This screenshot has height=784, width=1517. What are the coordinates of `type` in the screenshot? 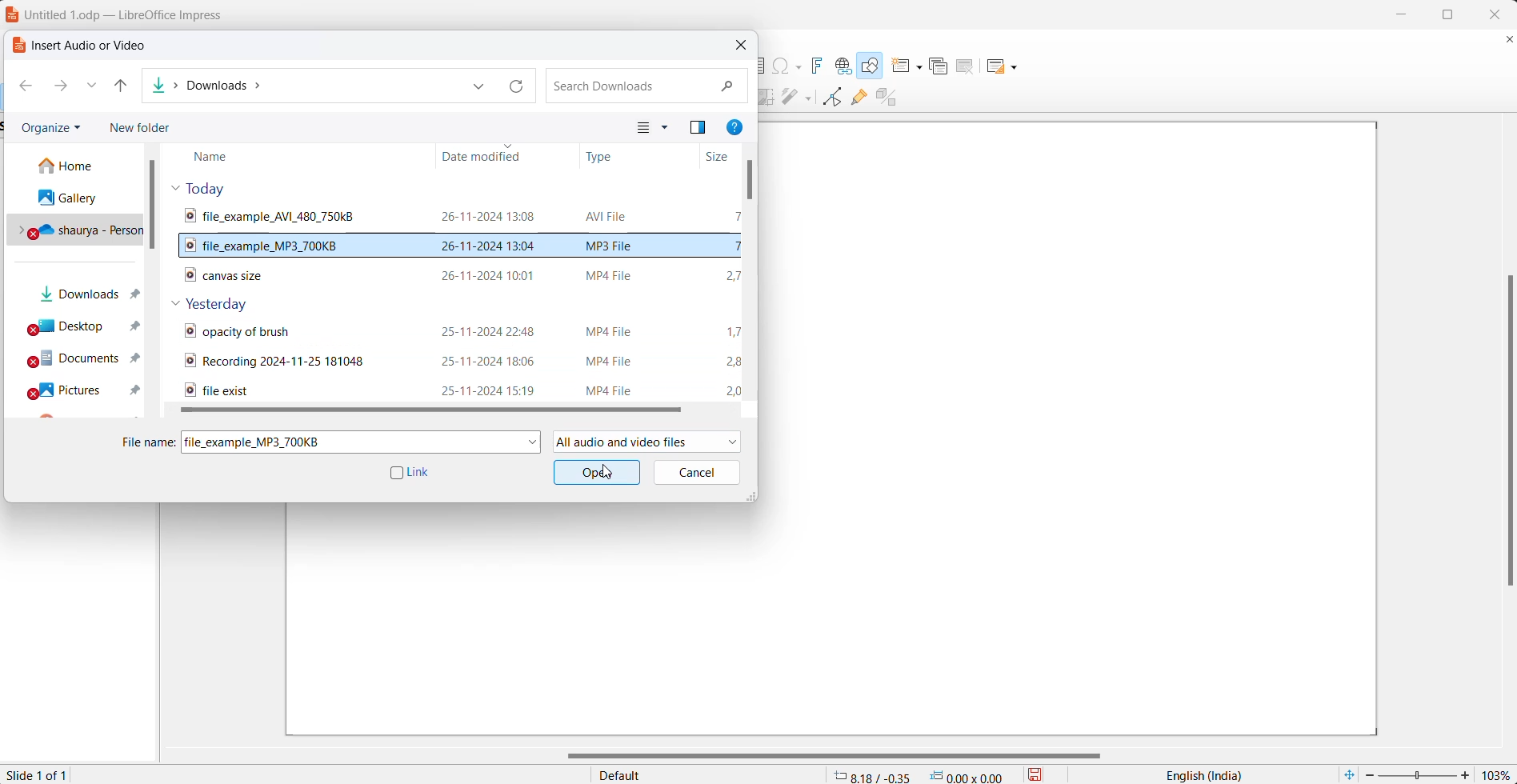 It's located at (612, 158).